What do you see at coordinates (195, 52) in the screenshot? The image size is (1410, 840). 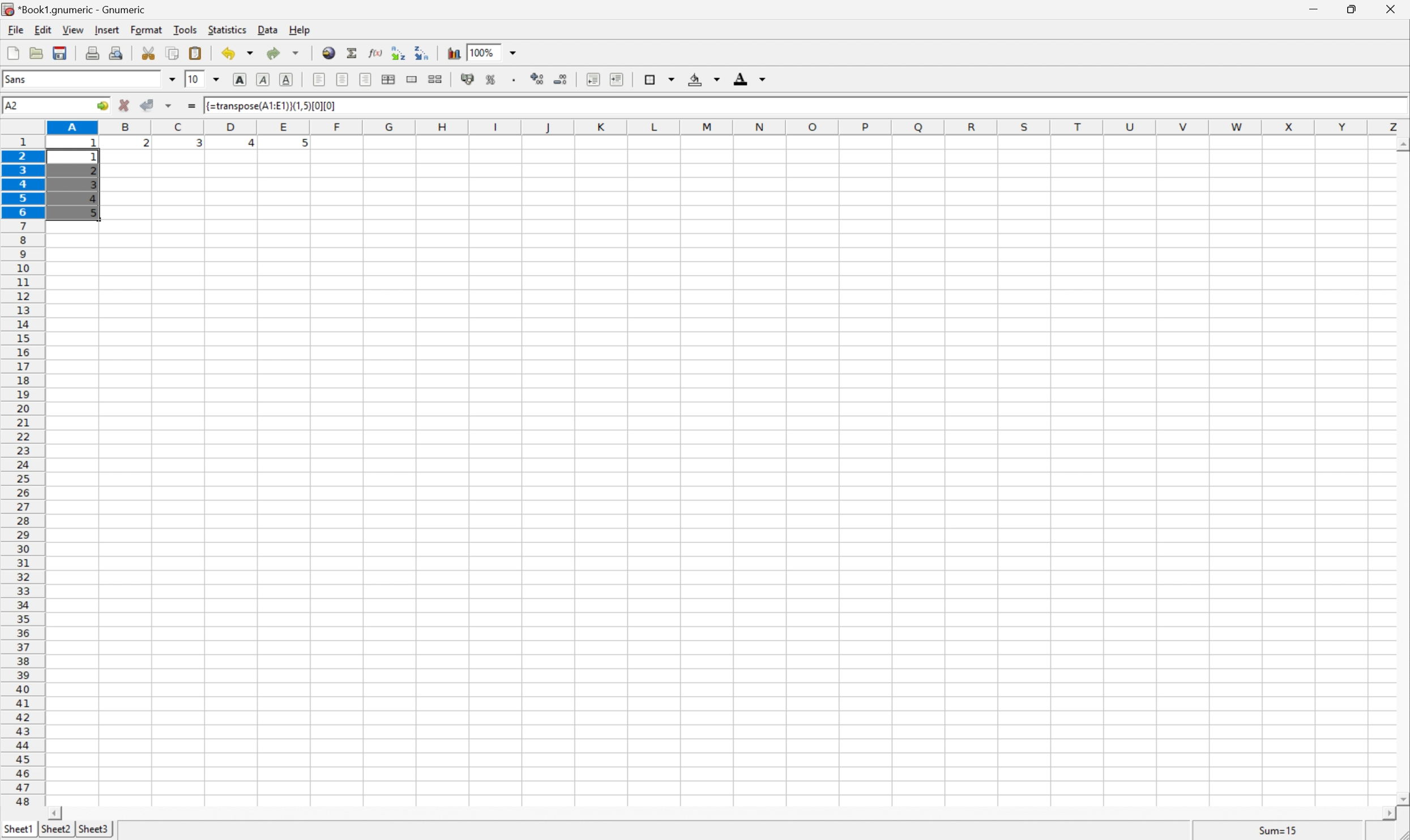 I see `paste` at bounding box center [195, 52].